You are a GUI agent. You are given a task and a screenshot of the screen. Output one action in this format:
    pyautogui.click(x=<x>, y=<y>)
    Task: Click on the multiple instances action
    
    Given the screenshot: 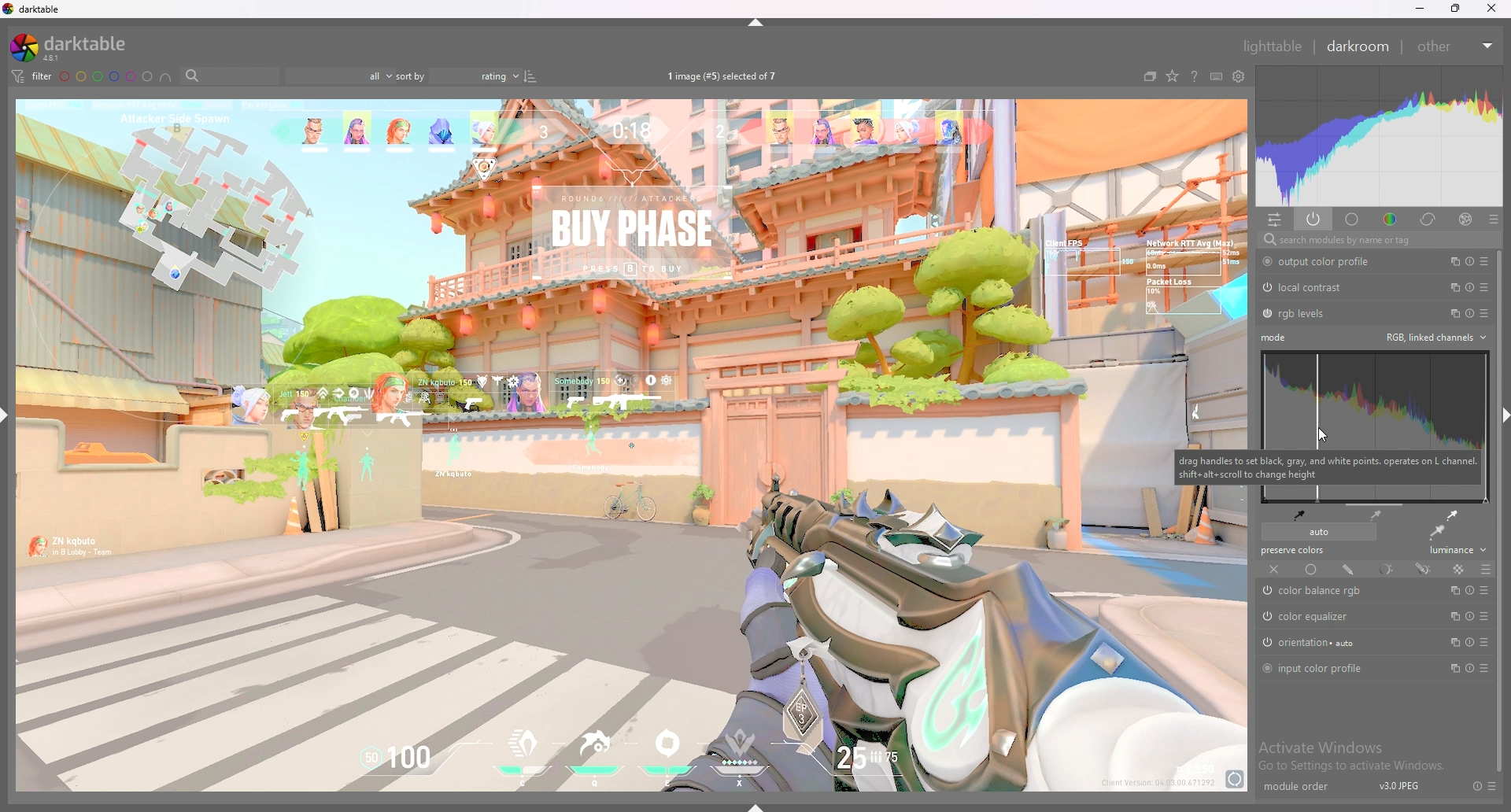 What is the action you would take?
    pyautogui.click(x=1452, y=312)
    